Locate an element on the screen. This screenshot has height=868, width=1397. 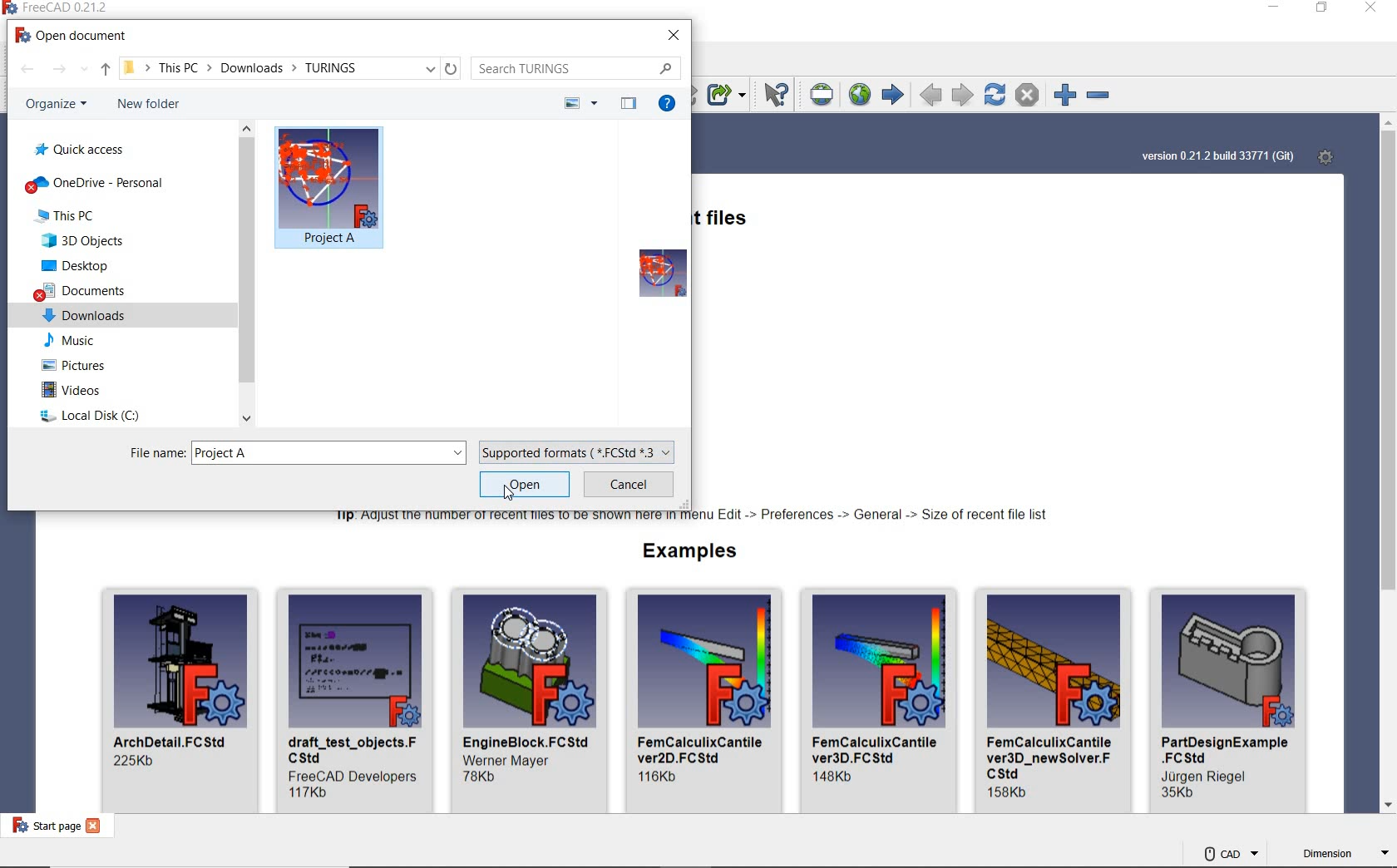
name is located at coordinates (879, 749).